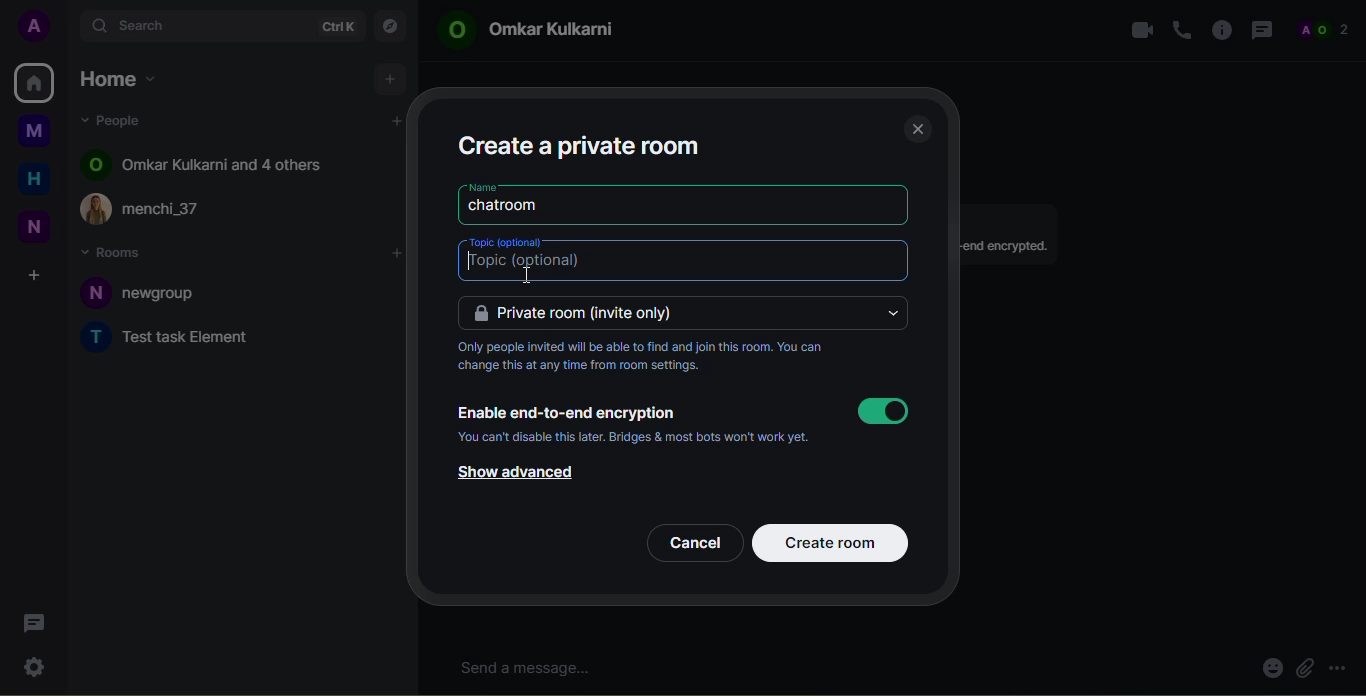 Image resolution: width=1366 pixels, height=696 pixels. I want to click on ctrlK, so click(337, 27).